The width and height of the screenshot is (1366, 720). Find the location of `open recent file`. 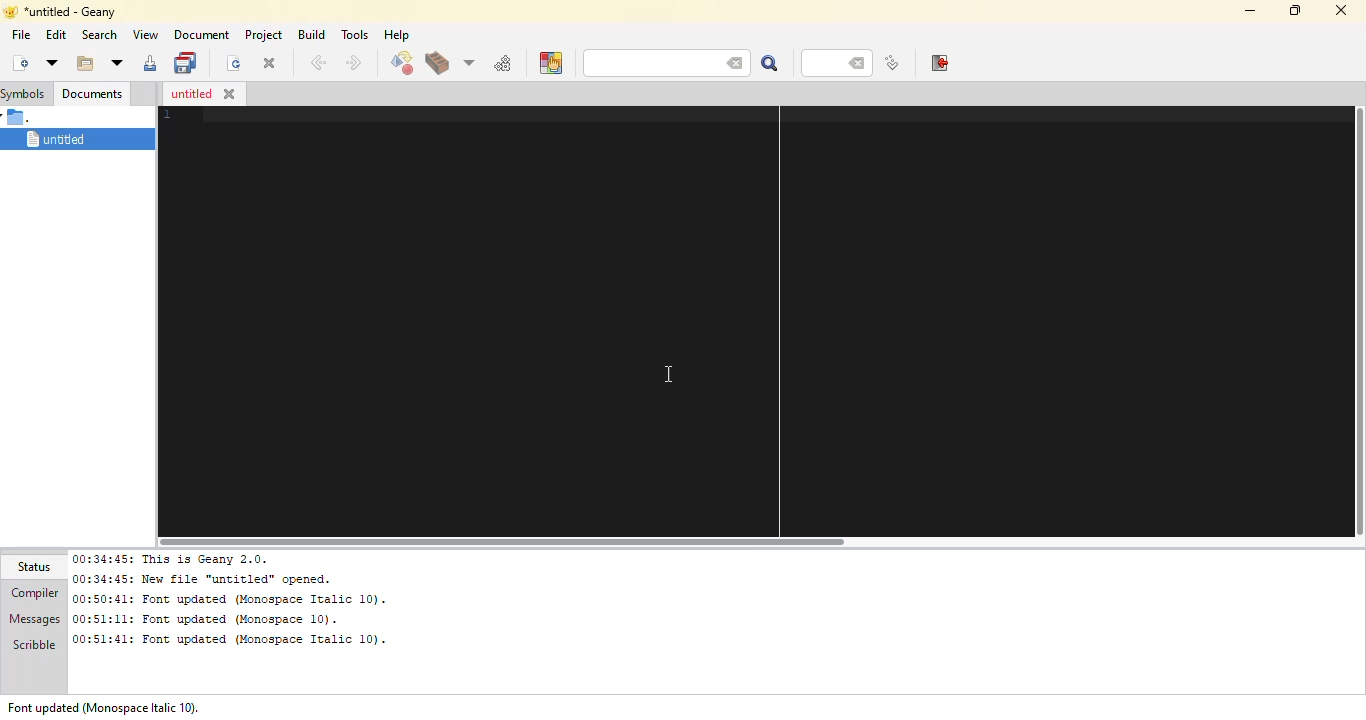

open recent file is located at coordinates (115, 63).